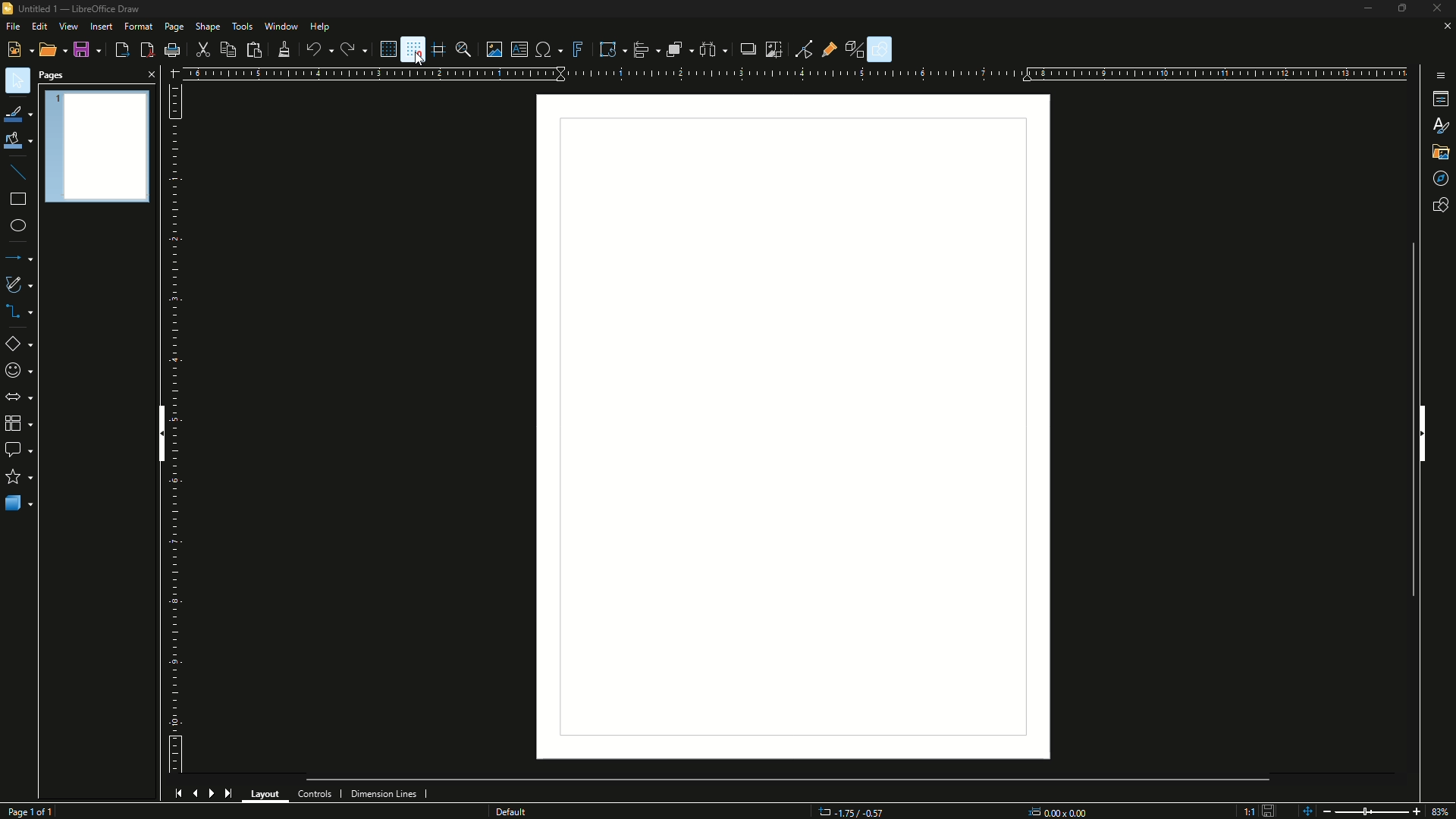  I want to click on Toggle Extrusion, so click(1693, 86).